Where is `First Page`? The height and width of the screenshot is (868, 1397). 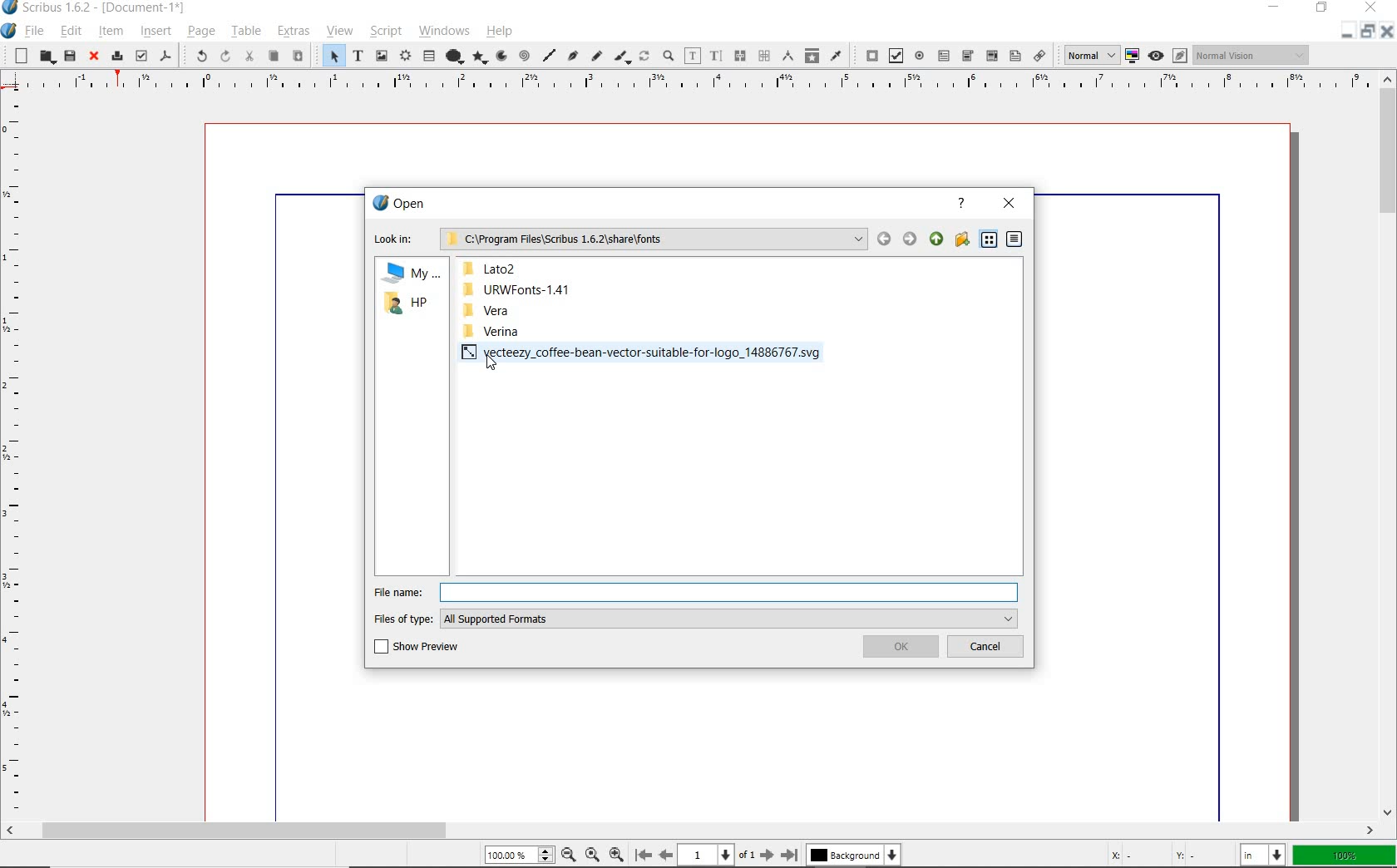 First Page is located at coordinates (643, 854).